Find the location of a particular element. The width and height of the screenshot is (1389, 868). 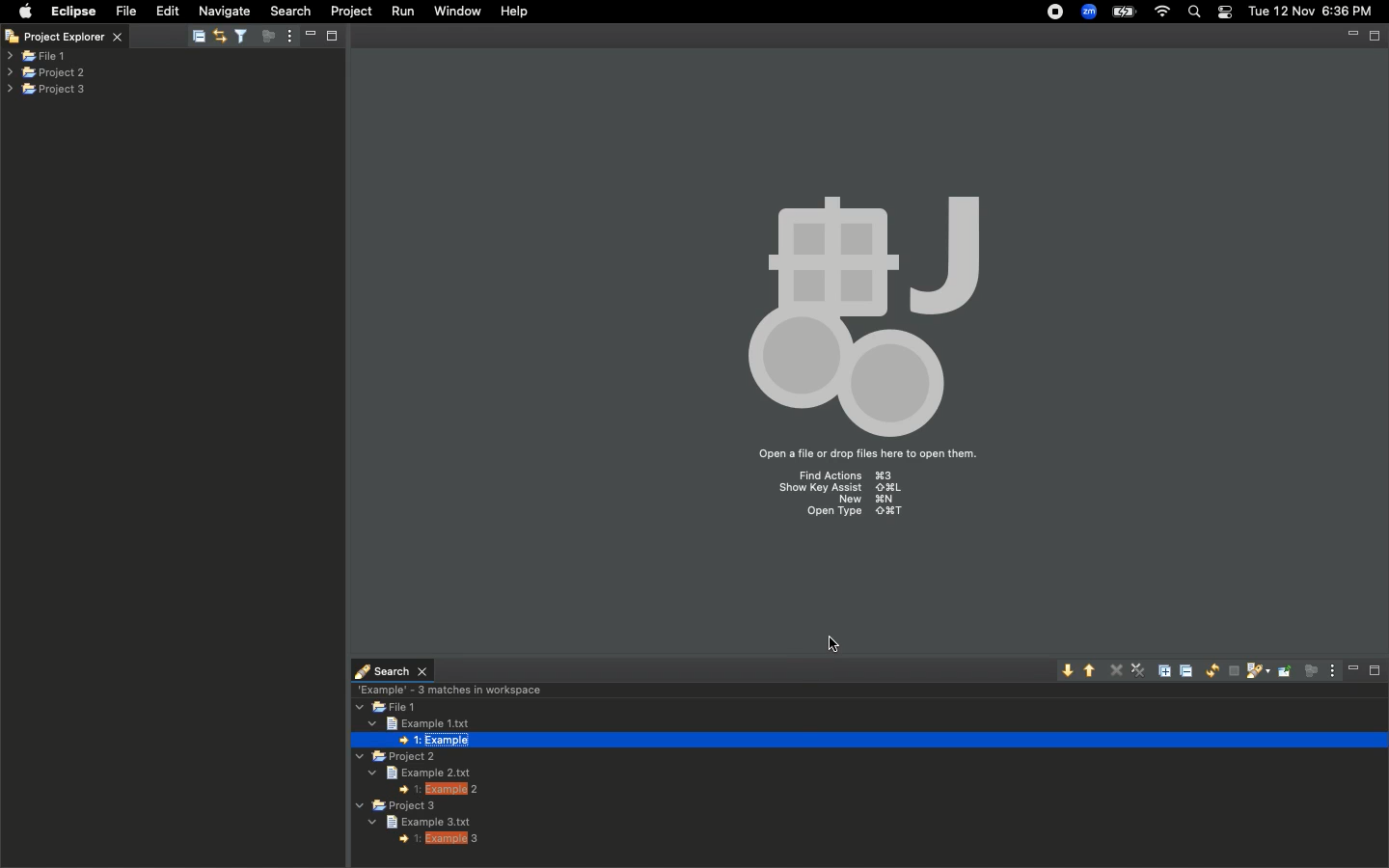

3 matches in workspace is located at coordinates (449, 689).